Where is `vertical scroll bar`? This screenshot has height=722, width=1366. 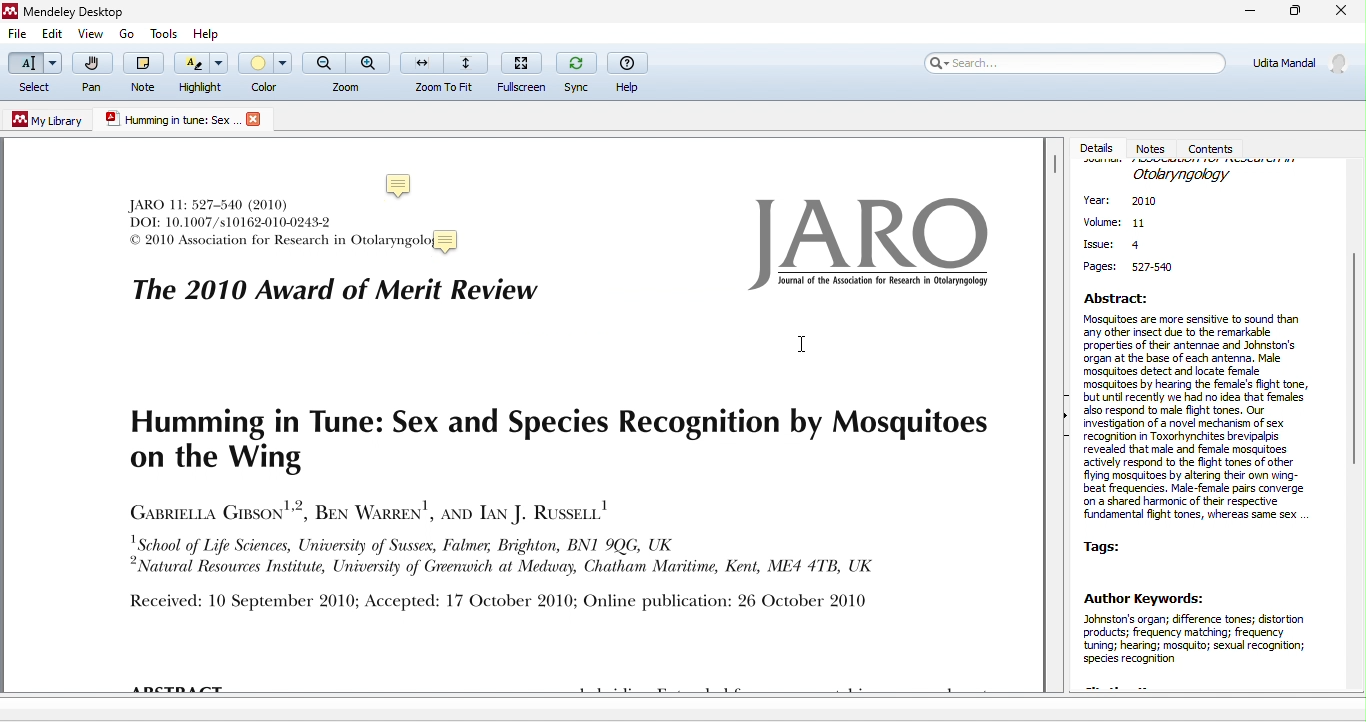 vertical scroll bar is located at coordinates (1054, 168).